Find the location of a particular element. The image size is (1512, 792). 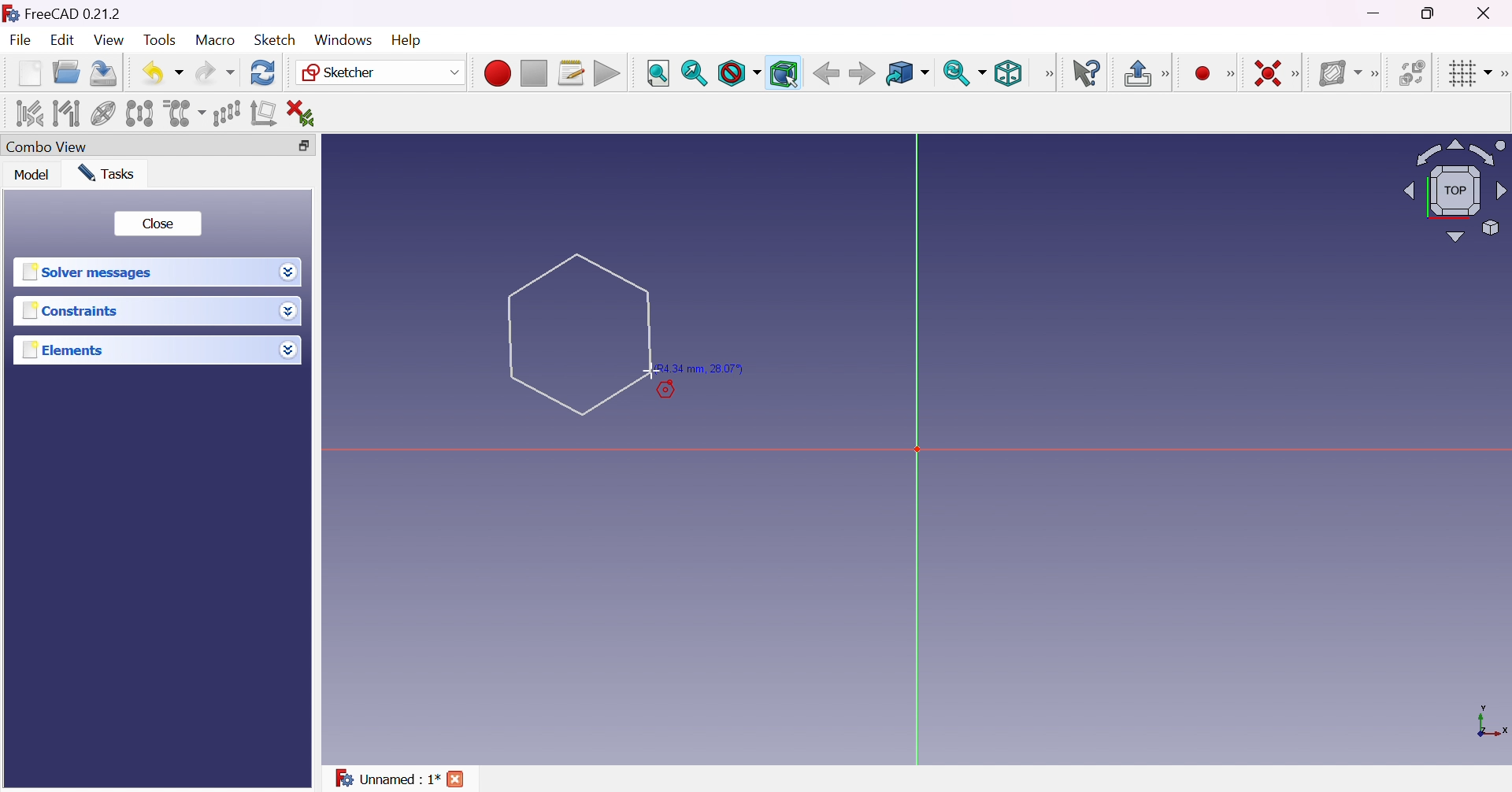

Save is located at coordinates (104, 73).